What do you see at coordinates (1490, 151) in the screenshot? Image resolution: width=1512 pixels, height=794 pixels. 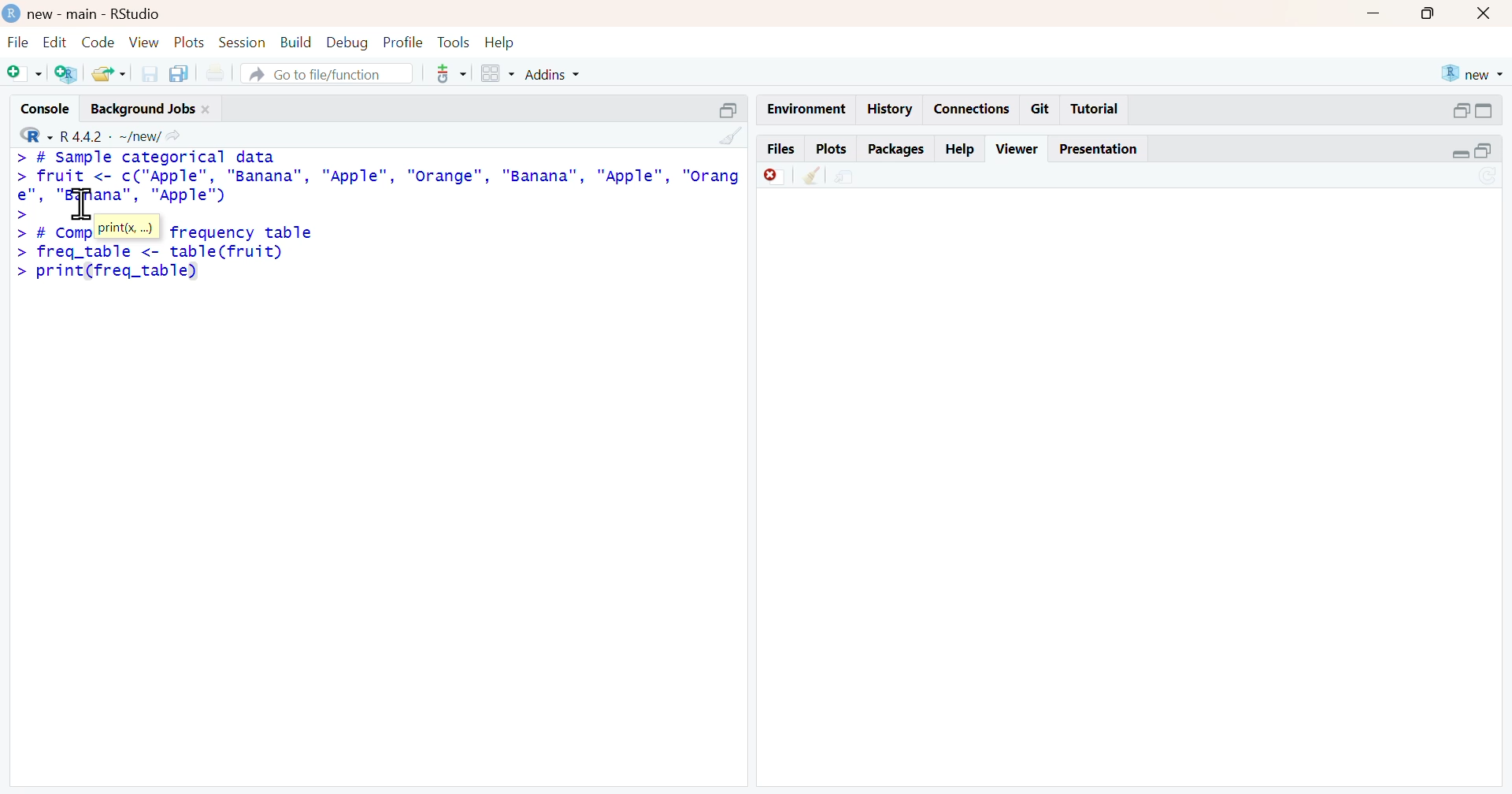 I see `collapse` at bounding box center [1490, 151].